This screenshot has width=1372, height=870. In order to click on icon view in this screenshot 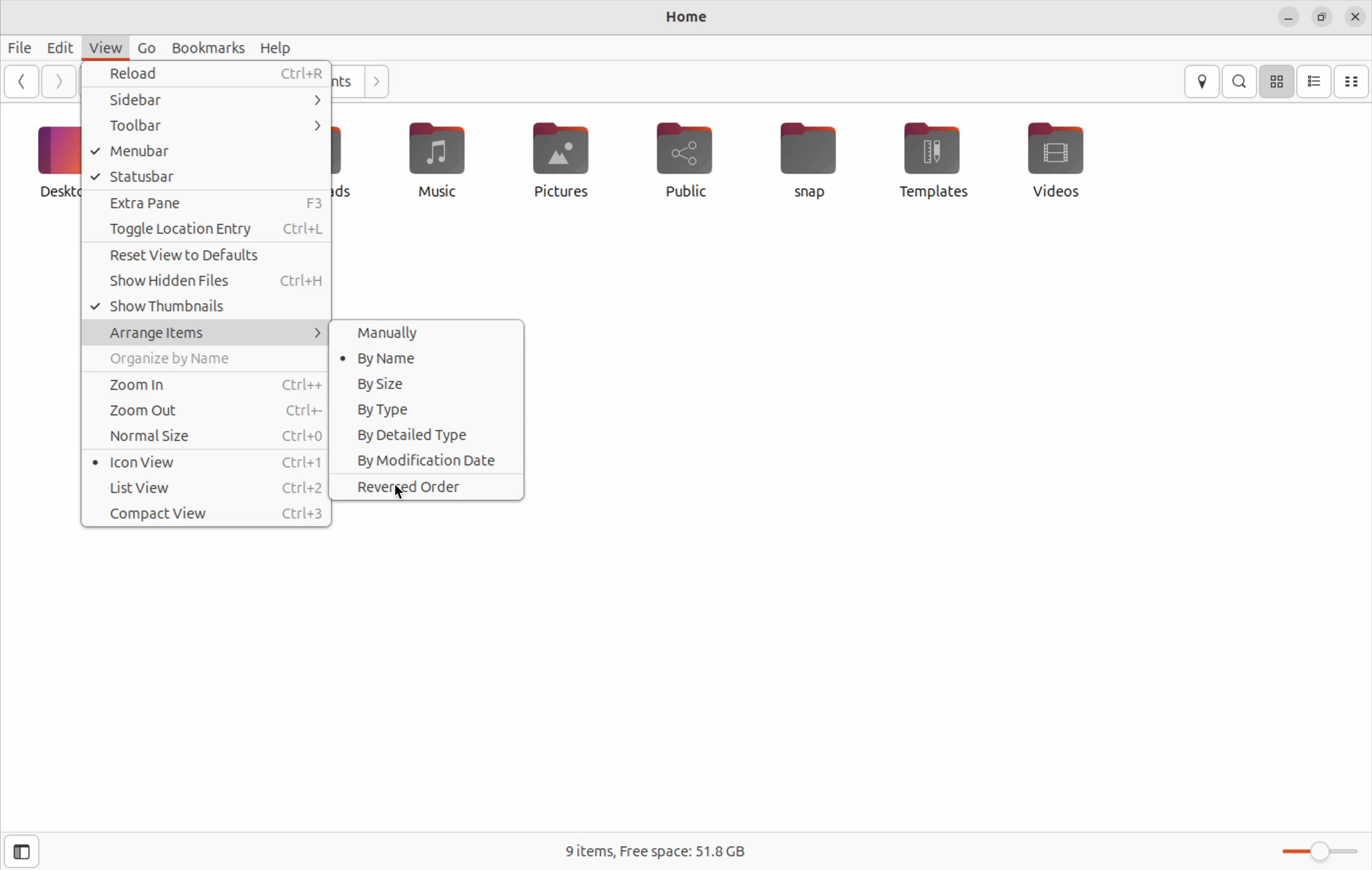, I will do `click(209, 461)`.